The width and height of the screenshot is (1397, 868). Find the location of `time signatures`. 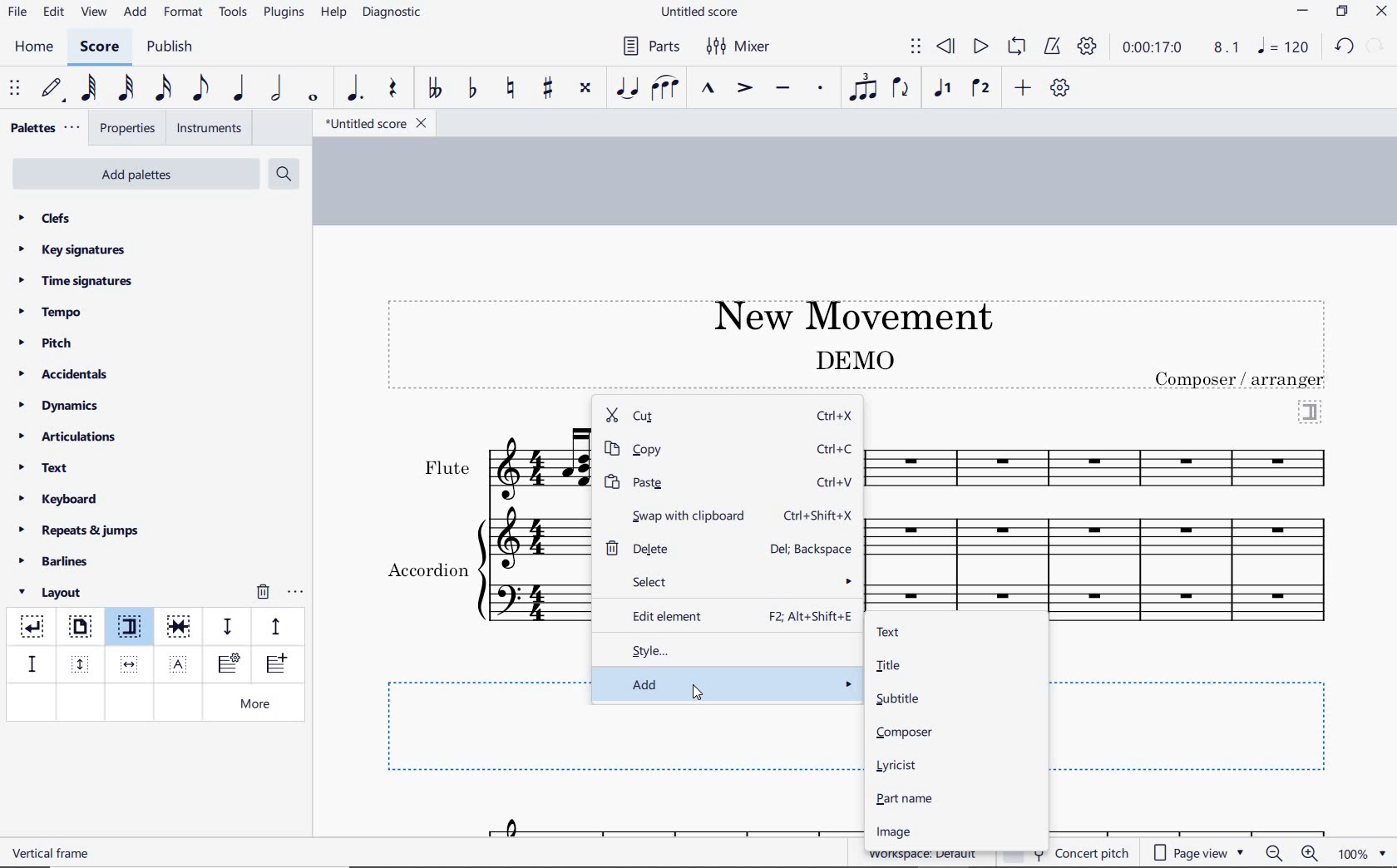

time signatures is located at coordinates (76, 280).